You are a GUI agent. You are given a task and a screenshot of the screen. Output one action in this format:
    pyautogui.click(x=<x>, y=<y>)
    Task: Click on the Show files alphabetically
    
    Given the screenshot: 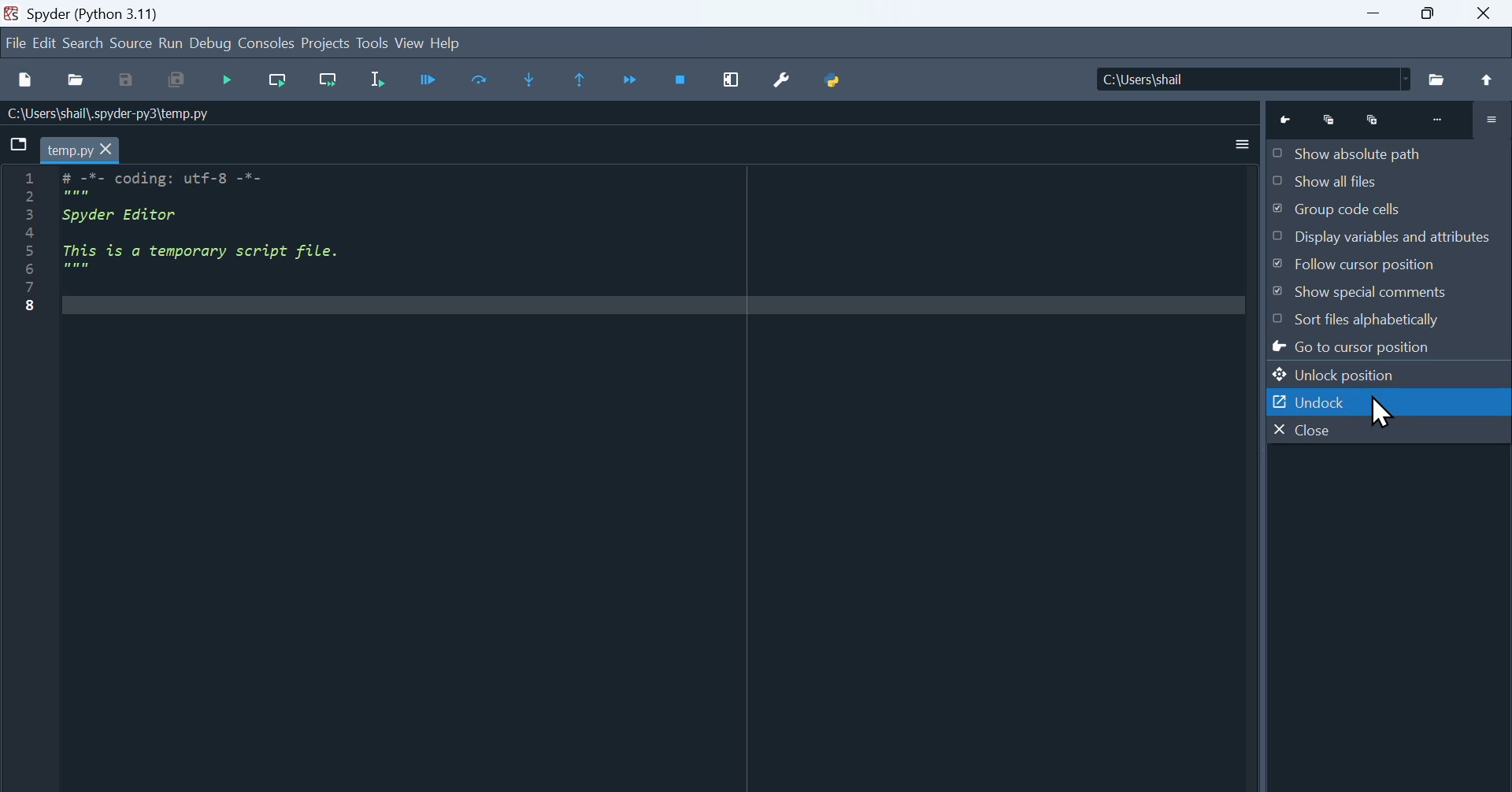 What is the action you would take?
    pyautogui.click(x=1389, y=319)
    